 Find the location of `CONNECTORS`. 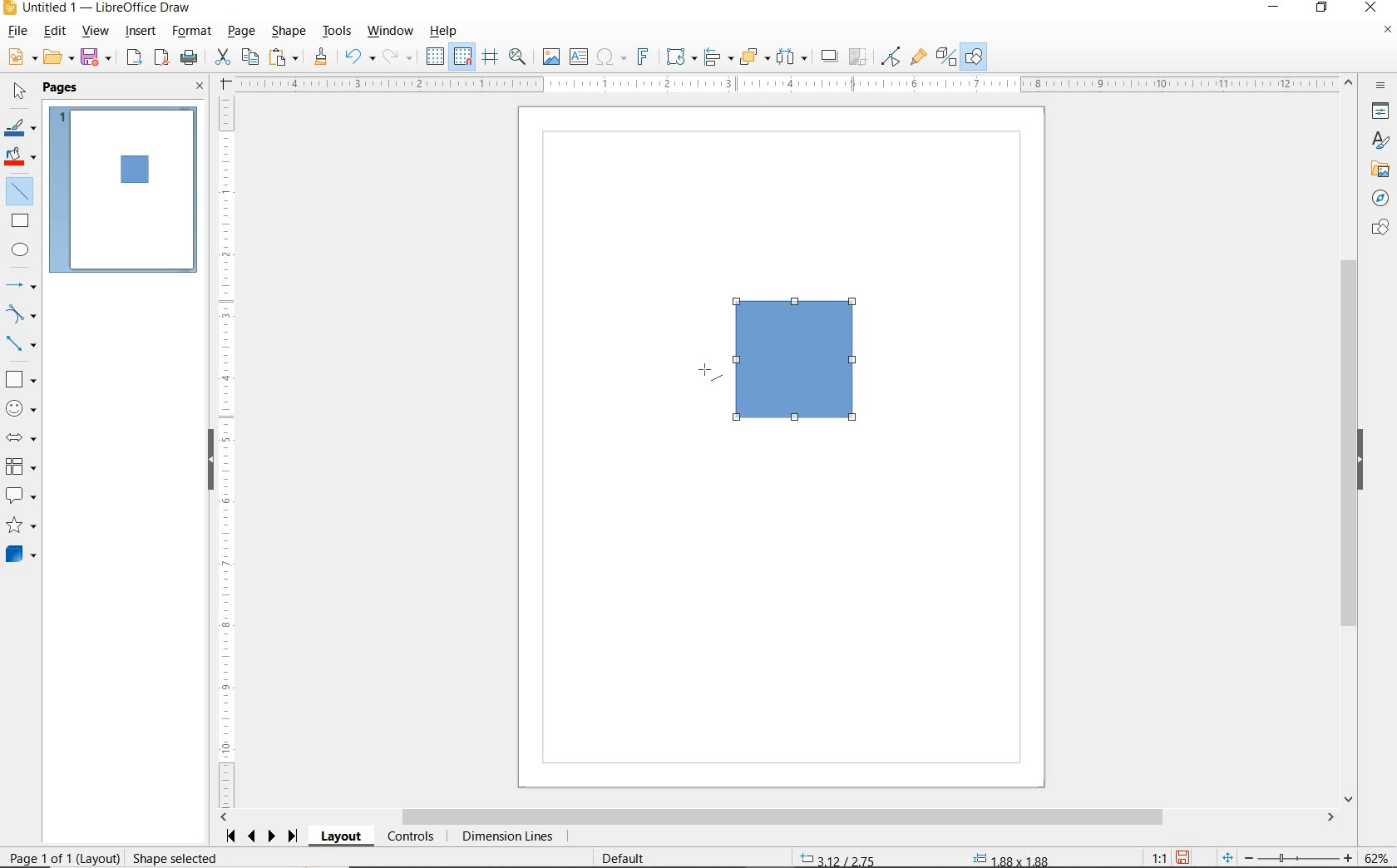

CONNECTORS is located at coordinates (21, 345).